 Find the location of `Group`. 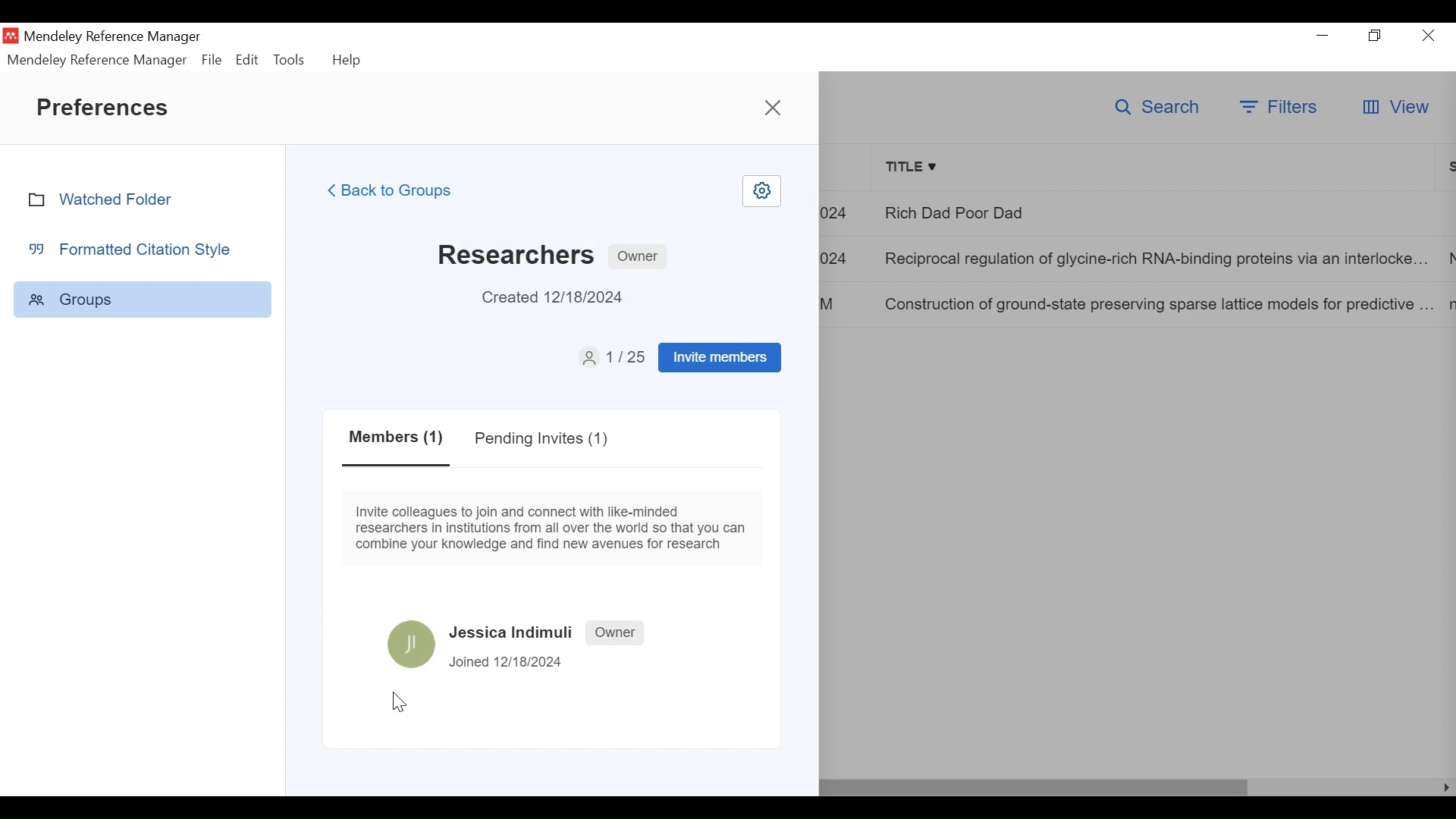

Group is located at coordinates (143, 299).